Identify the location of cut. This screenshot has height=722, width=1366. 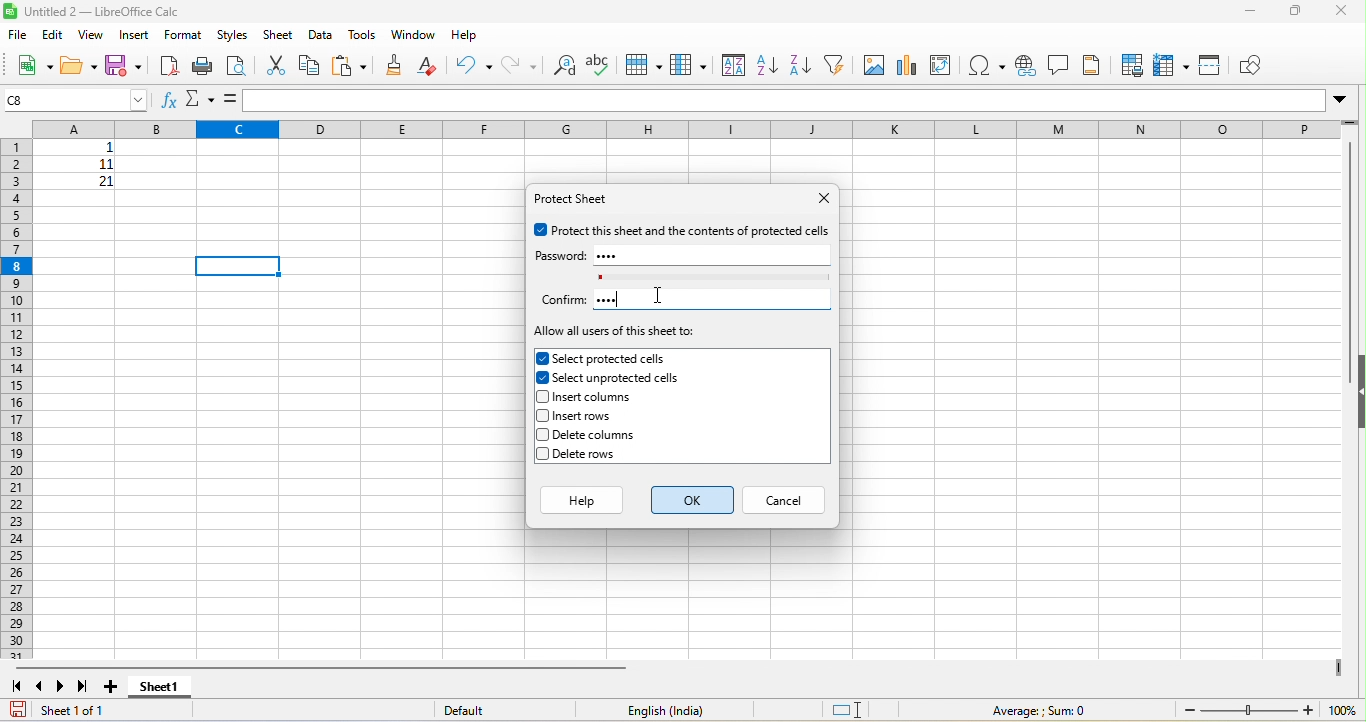
(278, 66).